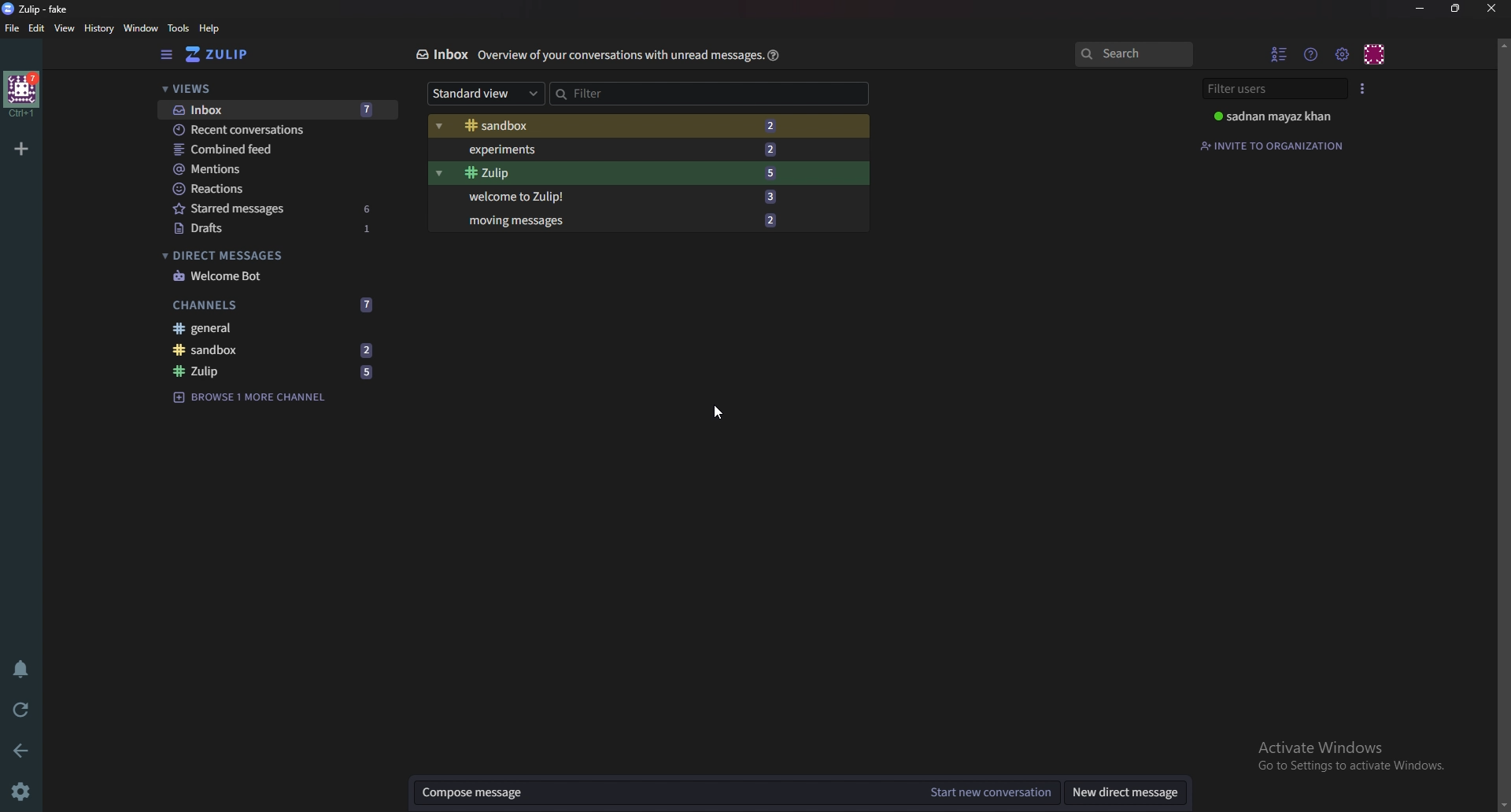 Image resolution: width=1511 pixels, height=812 pixels. What do you see at coordinates (441, 55) in the screenshot?
I see `Inbox` at bounding box center [441, 55].